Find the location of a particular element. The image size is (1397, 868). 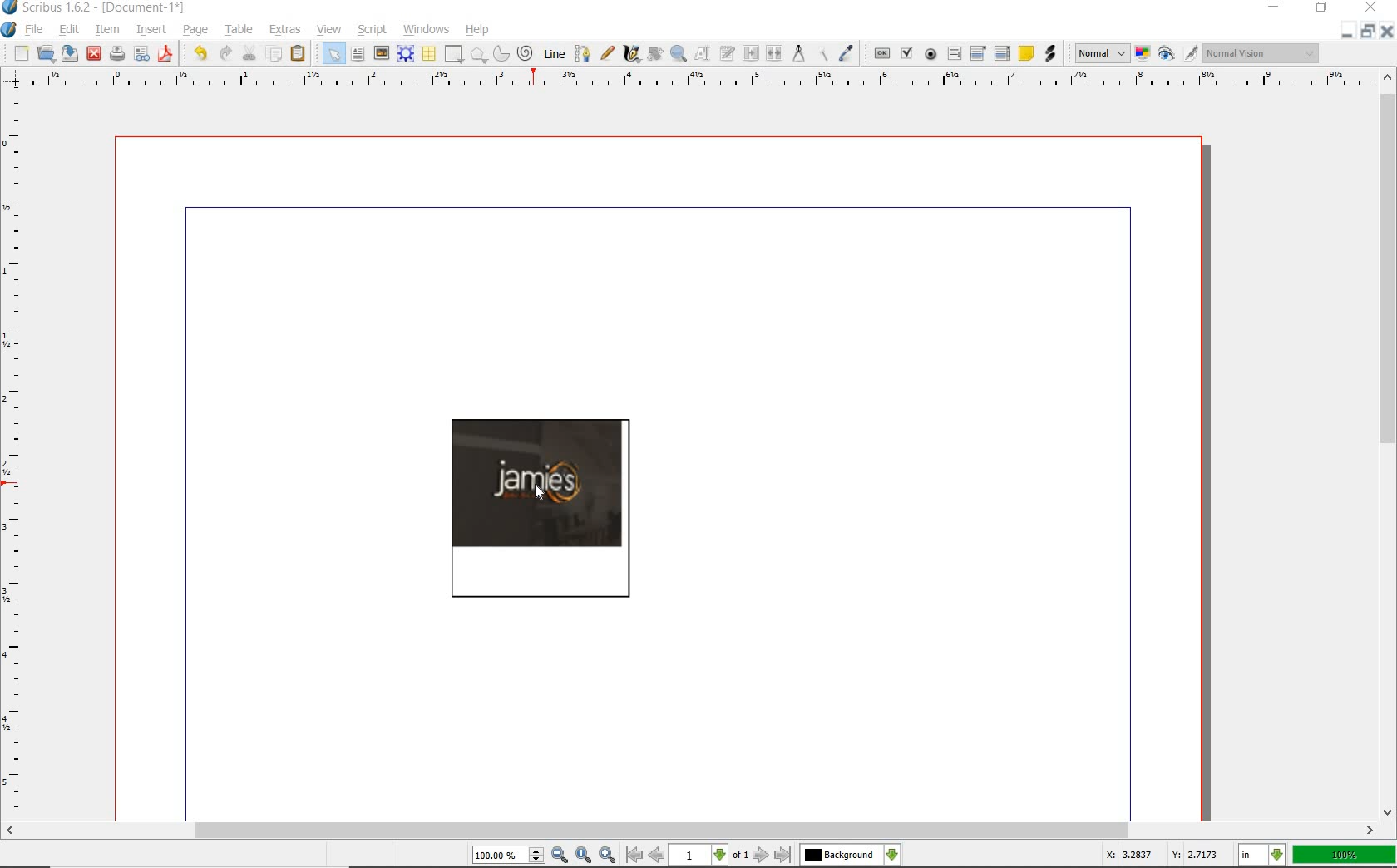

SELECT is located at coordinates (333, 53).